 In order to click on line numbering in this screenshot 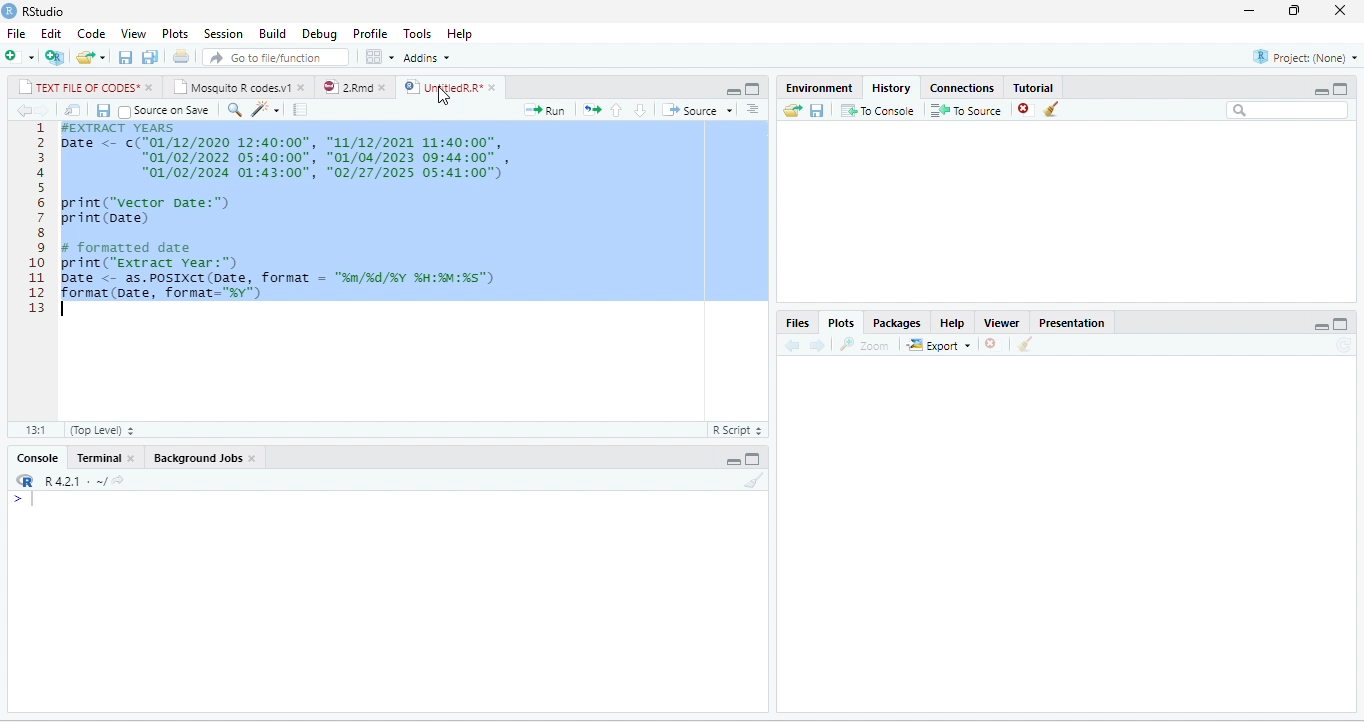, I will do `click(36, 218)`.